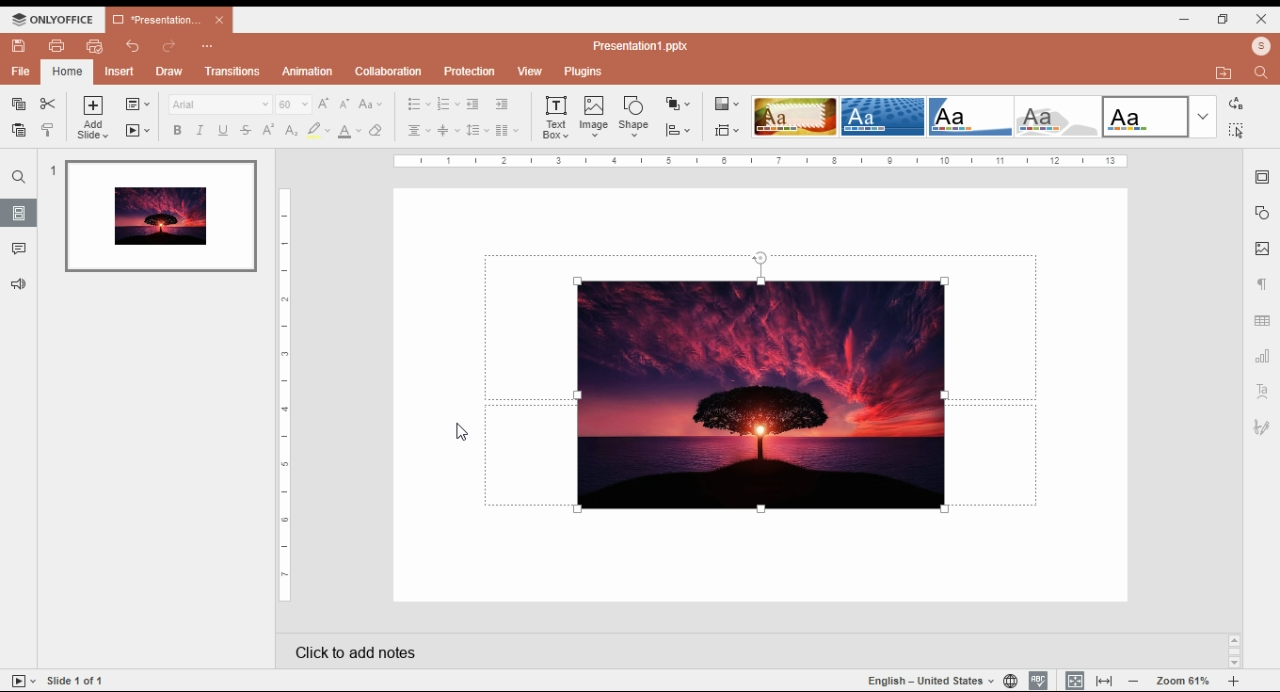 Image resolution: width=1280 pixels, height=692 pixels. What do you see at coordinates (20, 46) in the screenshot?
I see `save` at bounding box center [20, 46].